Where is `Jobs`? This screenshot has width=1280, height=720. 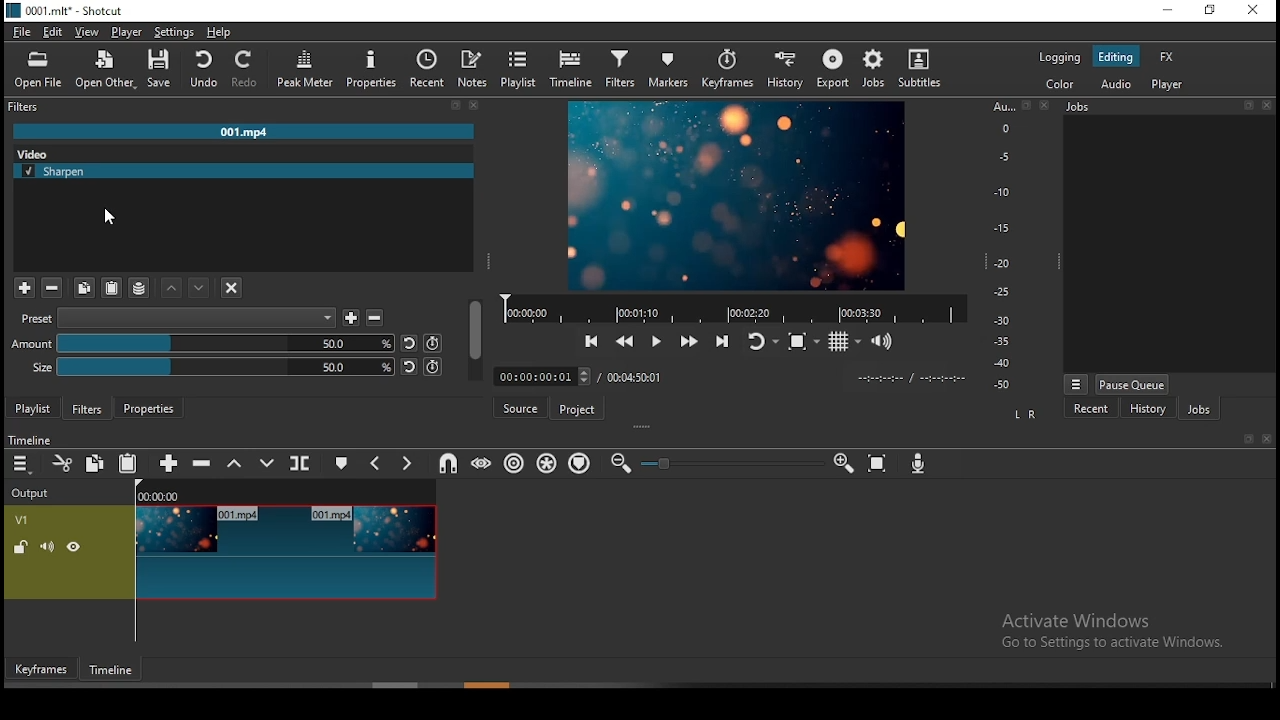 Jobs is located at coordinates (1170, 108).